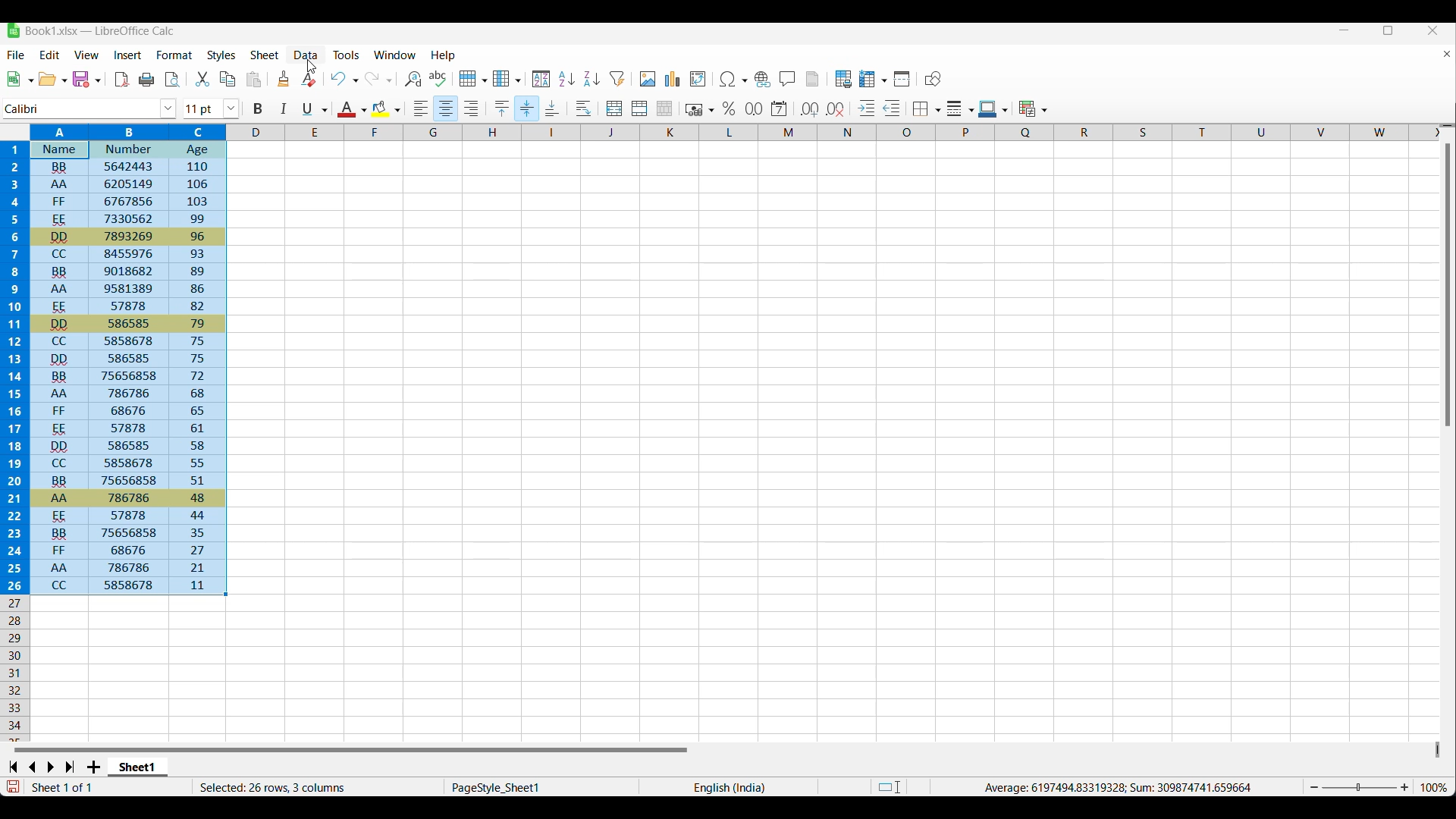  Describe the element at coordinates (541, 80) in the screenshot. I see `Sort` at that location.